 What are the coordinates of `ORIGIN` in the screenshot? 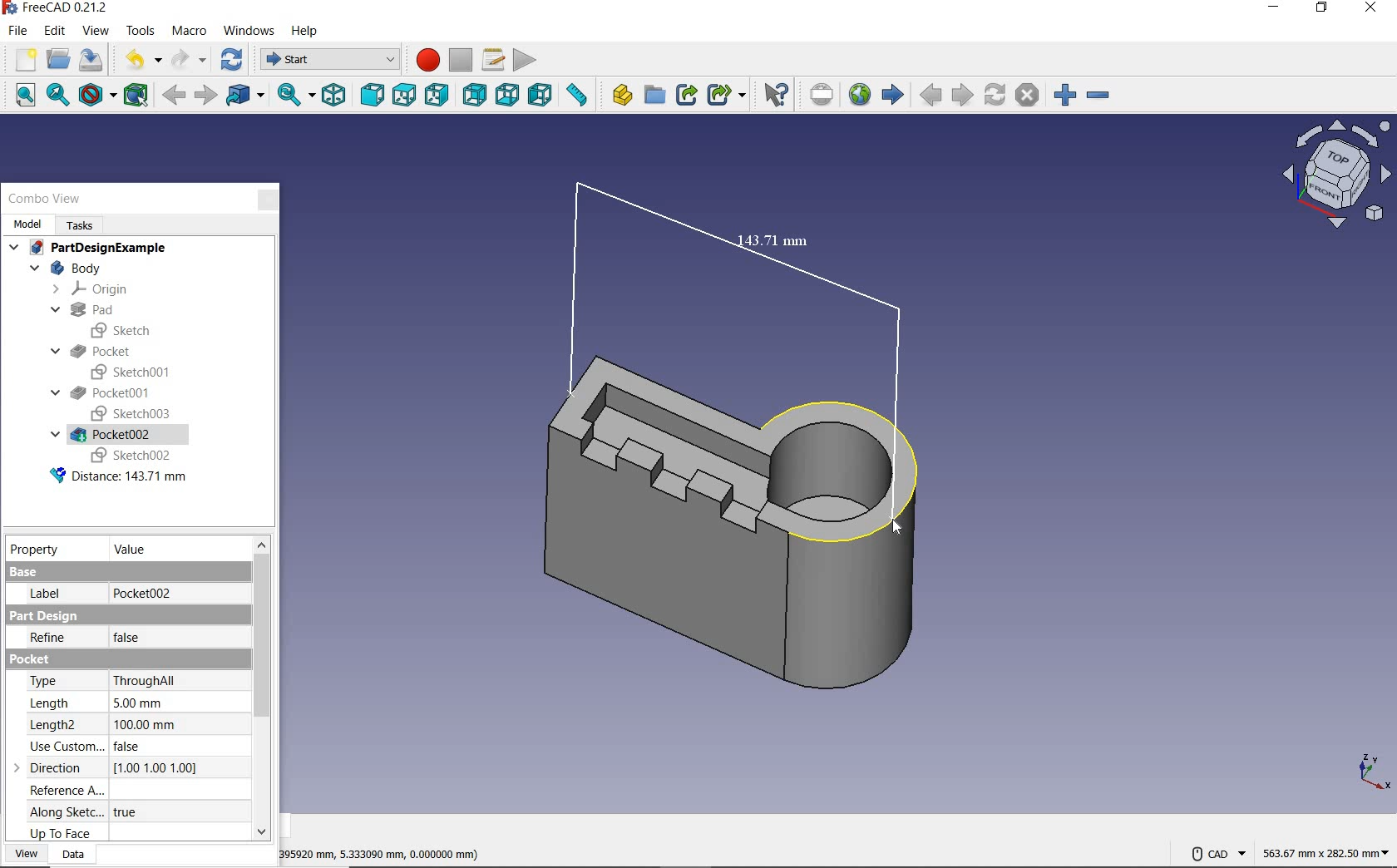 It's located at (92, 289).